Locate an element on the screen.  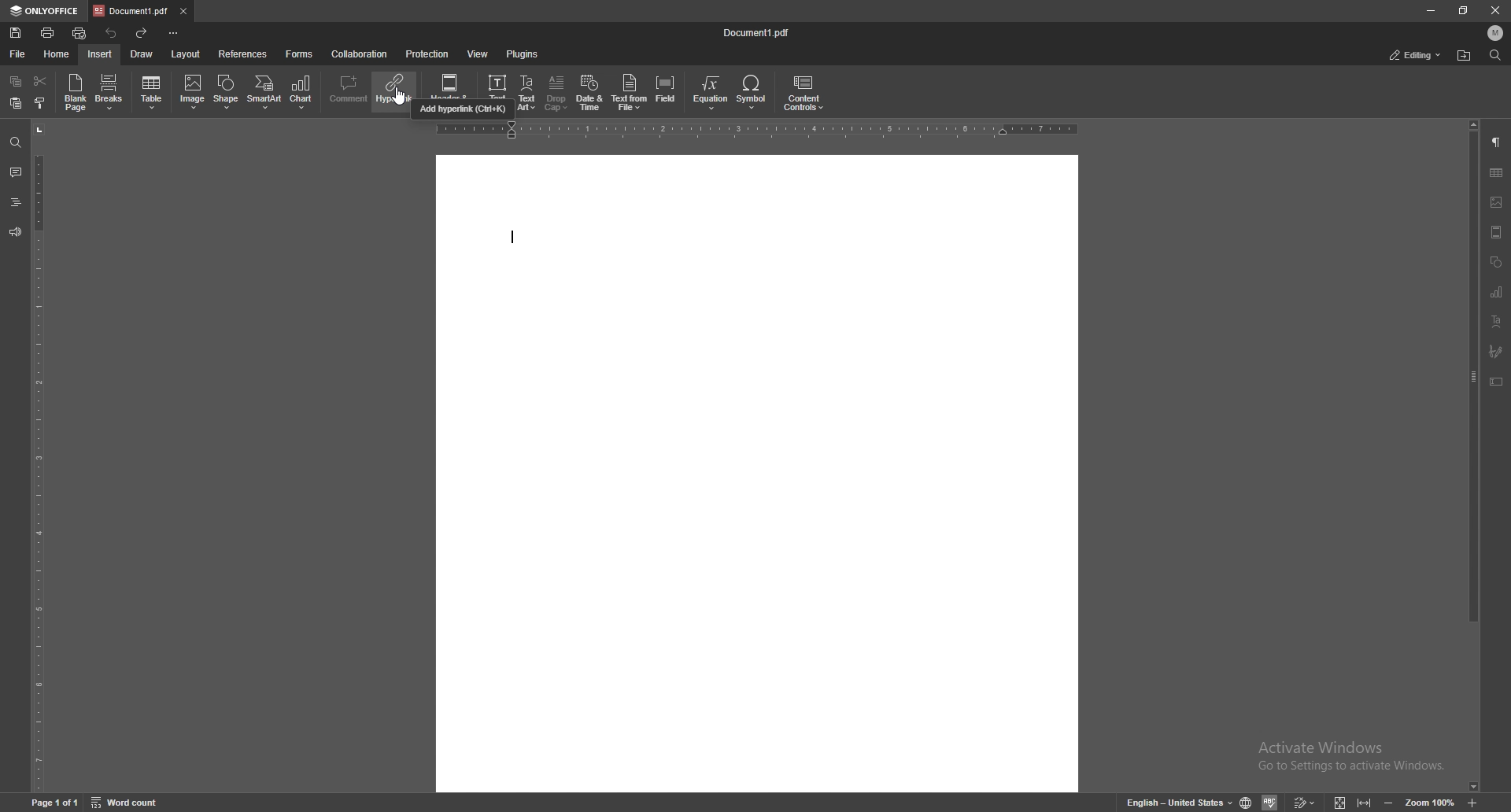
change doc language is located at coordinates (1247, 801).